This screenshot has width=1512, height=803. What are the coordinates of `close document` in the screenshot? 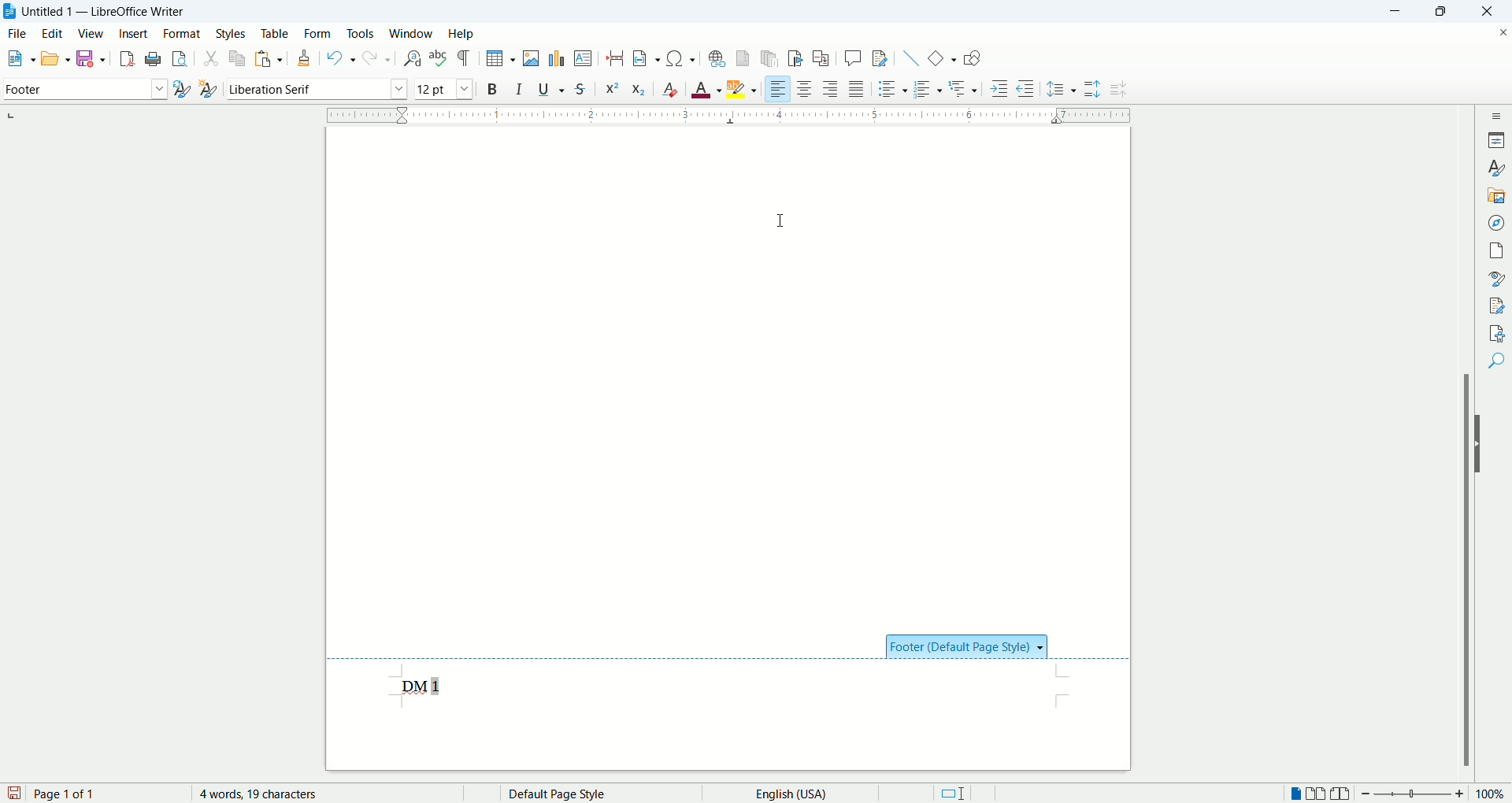 It's located at (1499, 31).